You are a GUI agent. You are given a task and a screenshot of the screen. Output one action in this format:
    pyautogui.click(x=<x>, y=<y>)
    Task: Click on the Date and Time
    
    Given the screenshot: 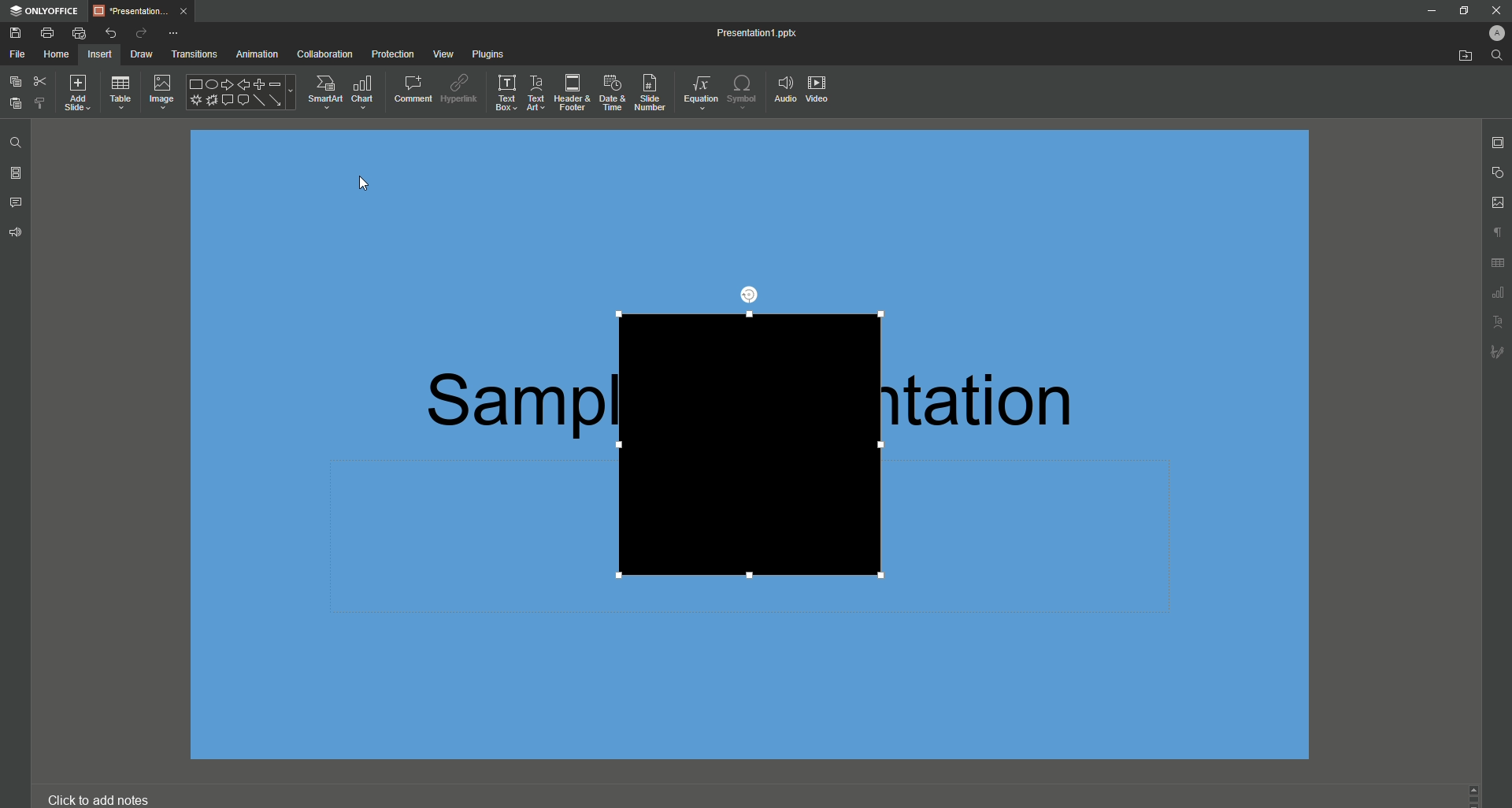 What is the action you would take?
    pyautogui.click(x=609, y=91)
    